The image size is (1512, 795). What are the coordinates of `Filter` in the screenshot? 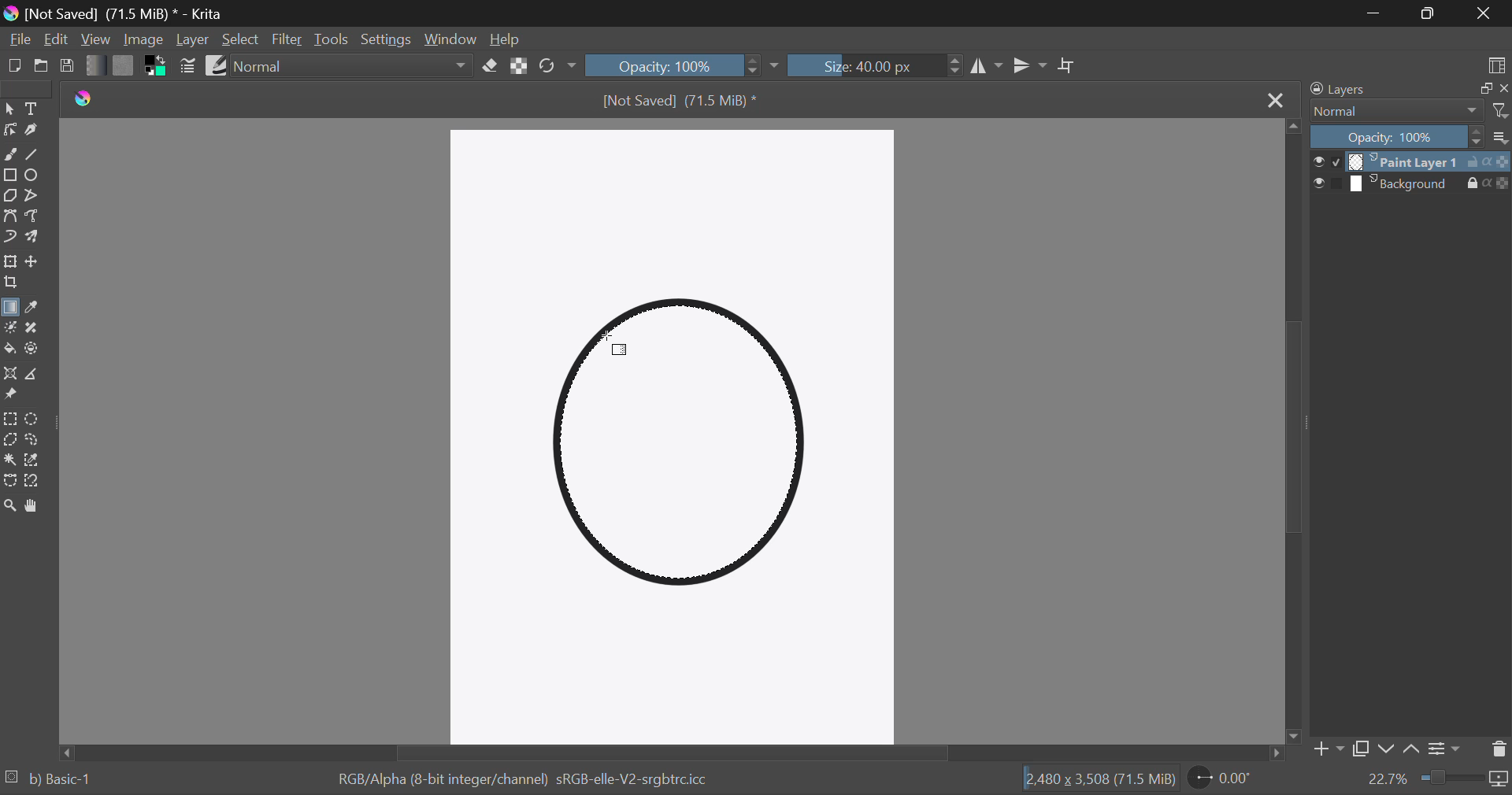 It's located at (287, 39).